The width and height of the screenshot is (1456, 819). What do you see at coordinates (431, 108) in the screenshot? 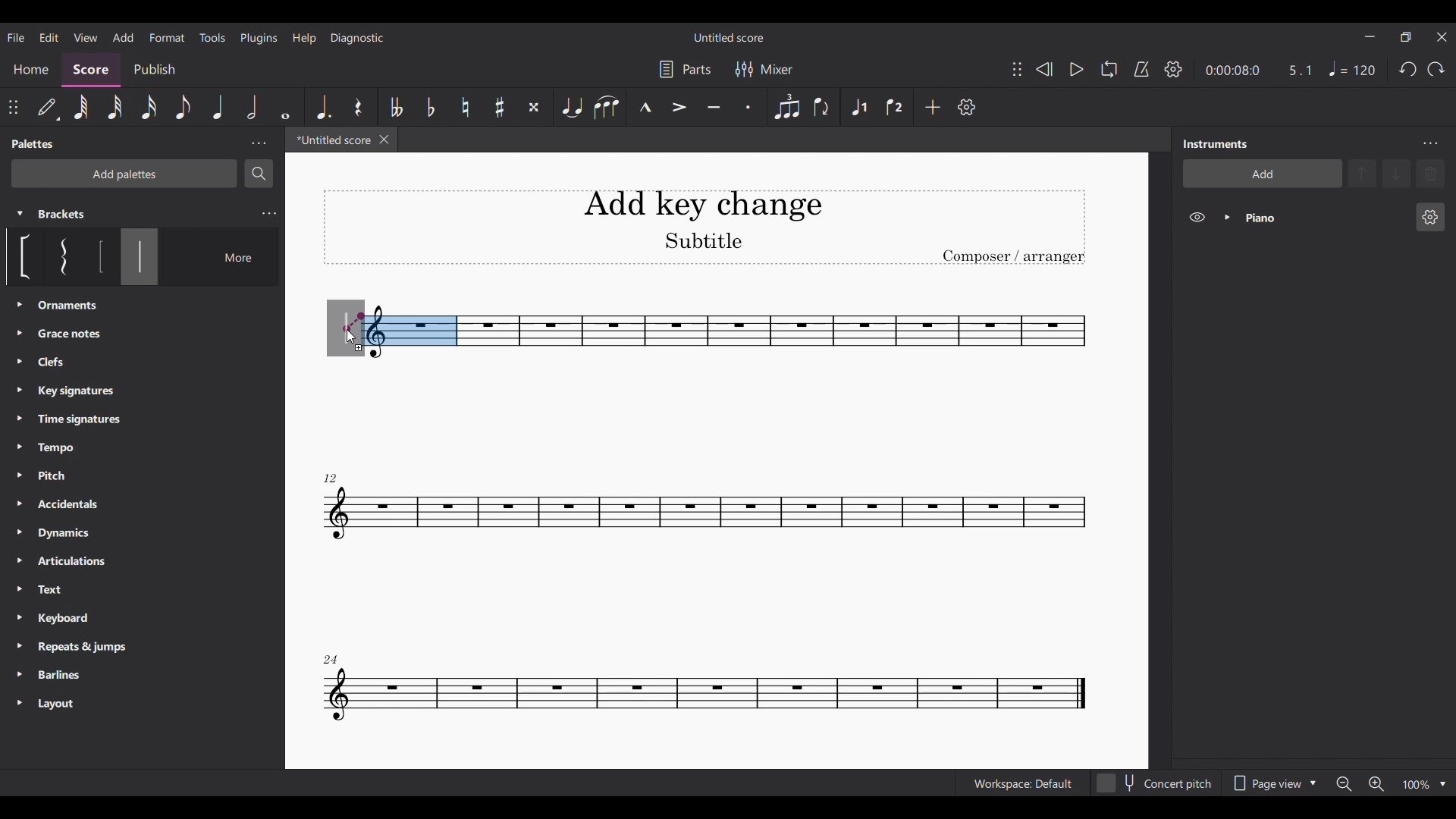
I see `Toggle flat` at bounding box center [431, 108].